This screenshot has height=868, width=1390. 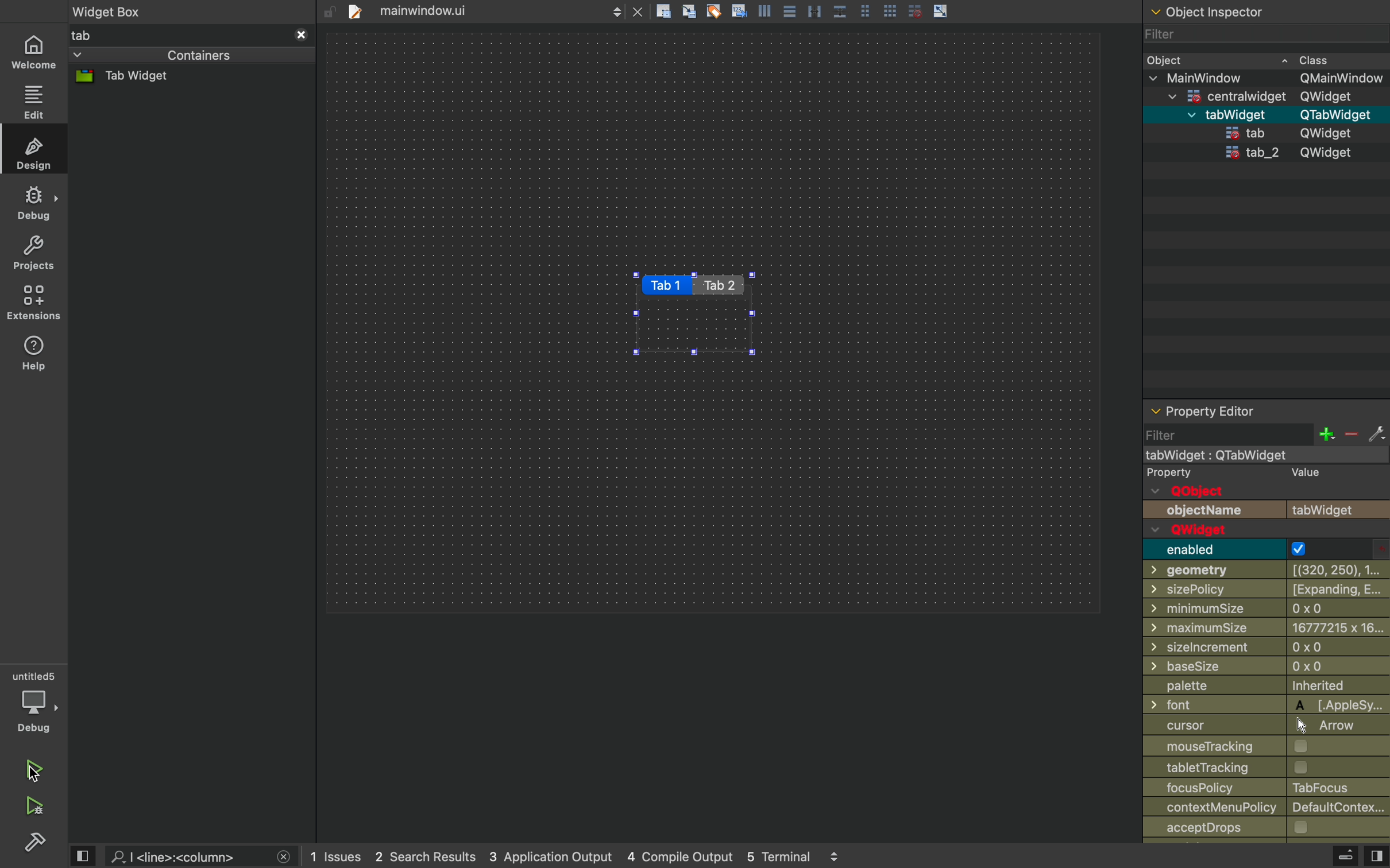 I want to click on extrude, so click(x=1346, y=858).